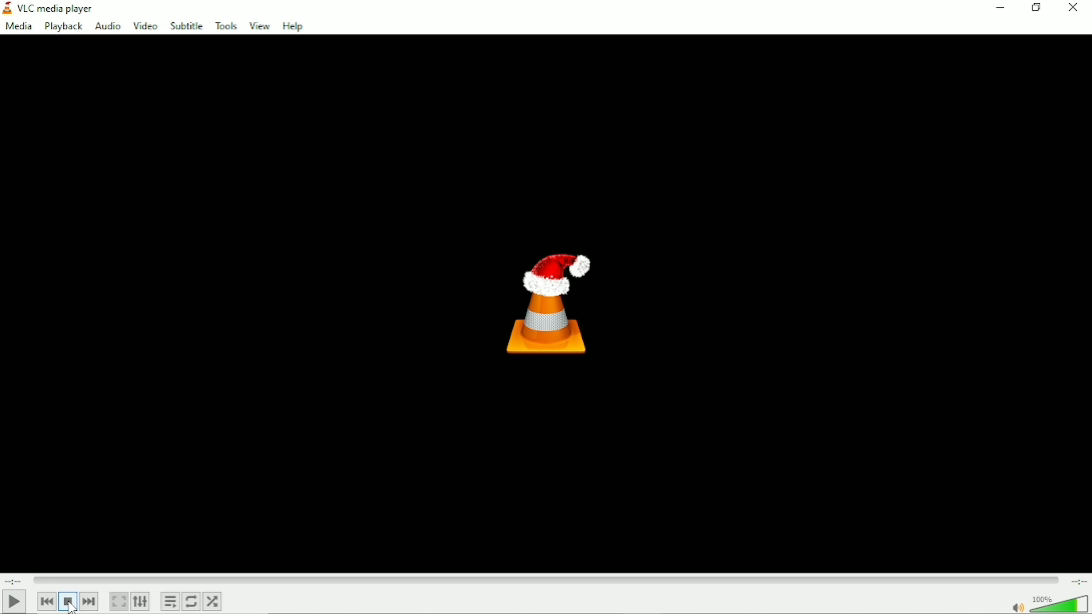 The height and width of the screenshot is (614, 1092). What do you see at coordinates (1073, 8) in the screenshot?
I see `Close` at bounding box center [1073, 8].